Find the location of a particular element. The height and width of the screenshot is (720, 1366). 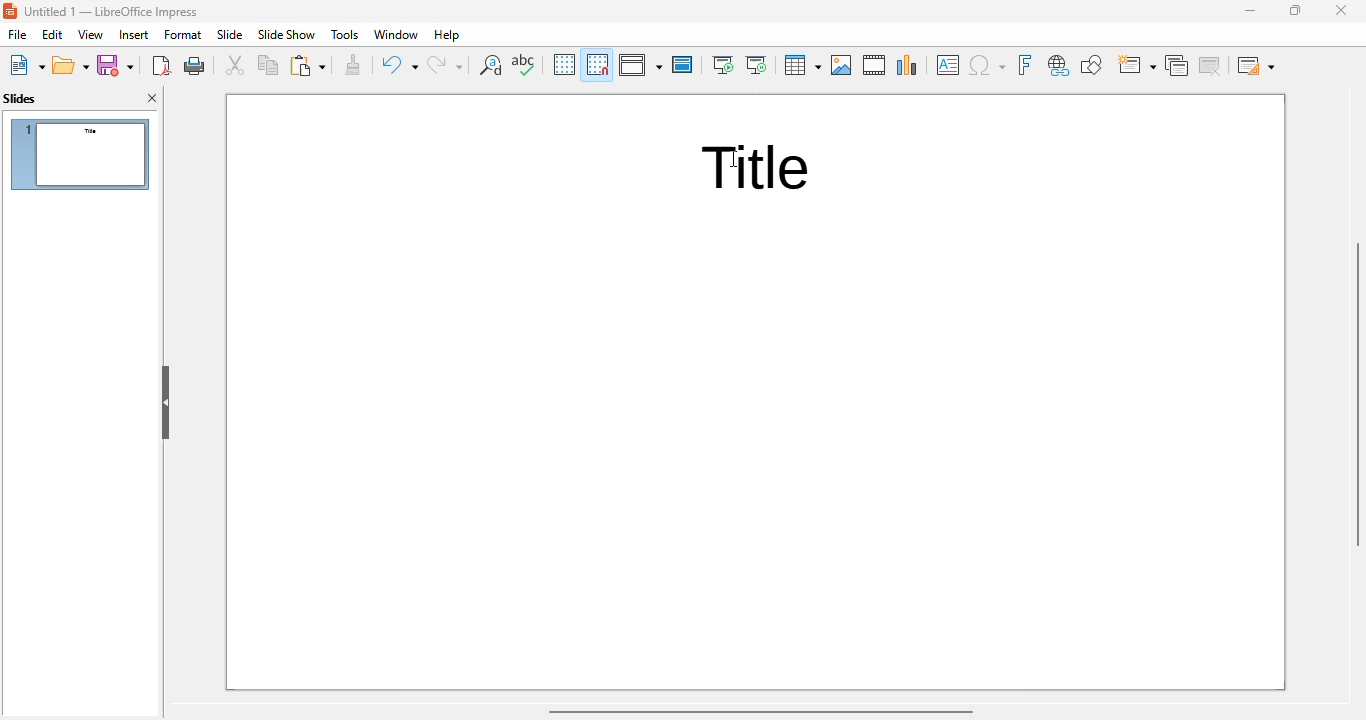

maximize is located at coordinates (1295, 10).